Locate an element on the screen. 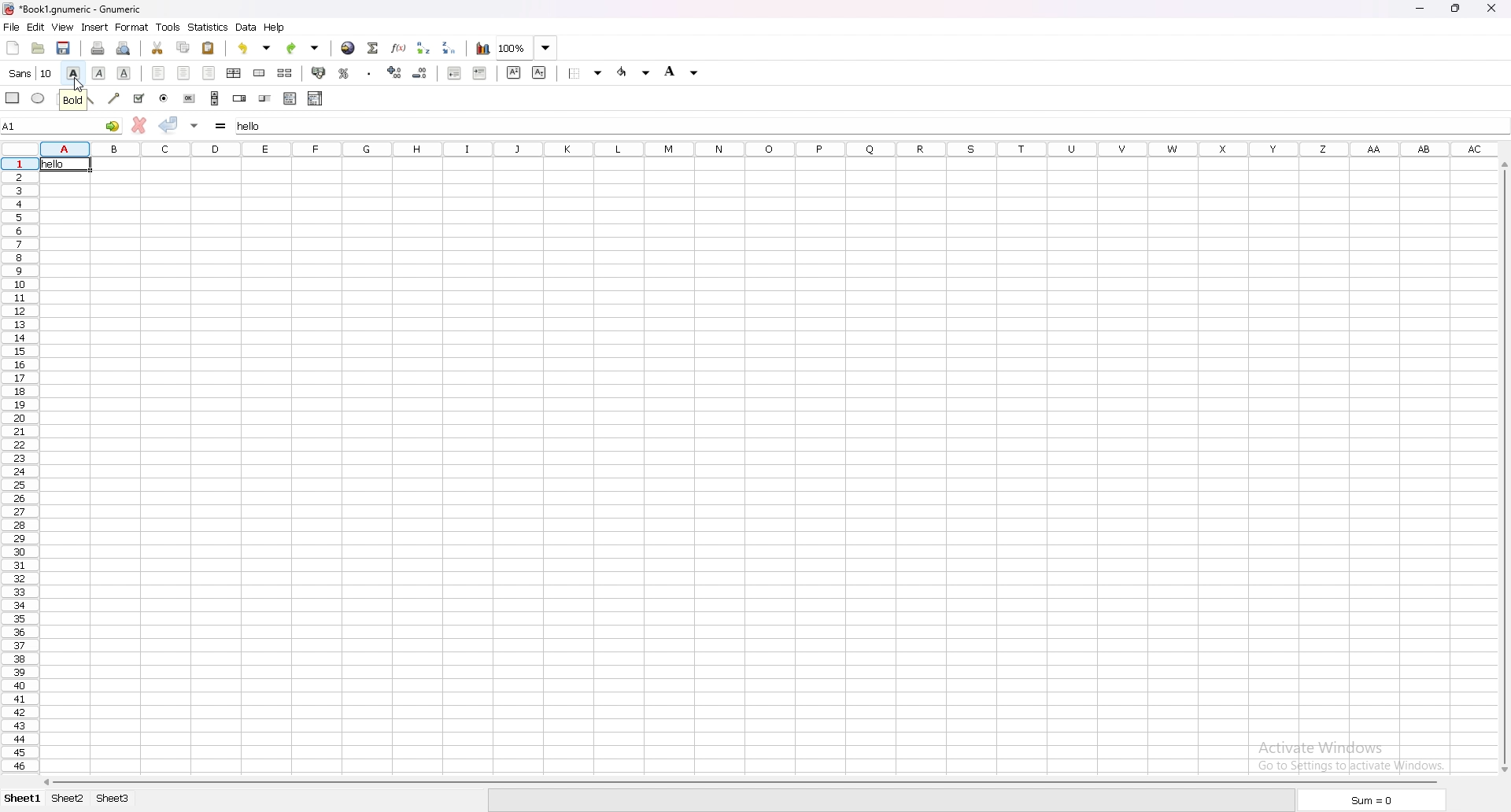  accept change in multiple cells is located at coordinates (194, 125).